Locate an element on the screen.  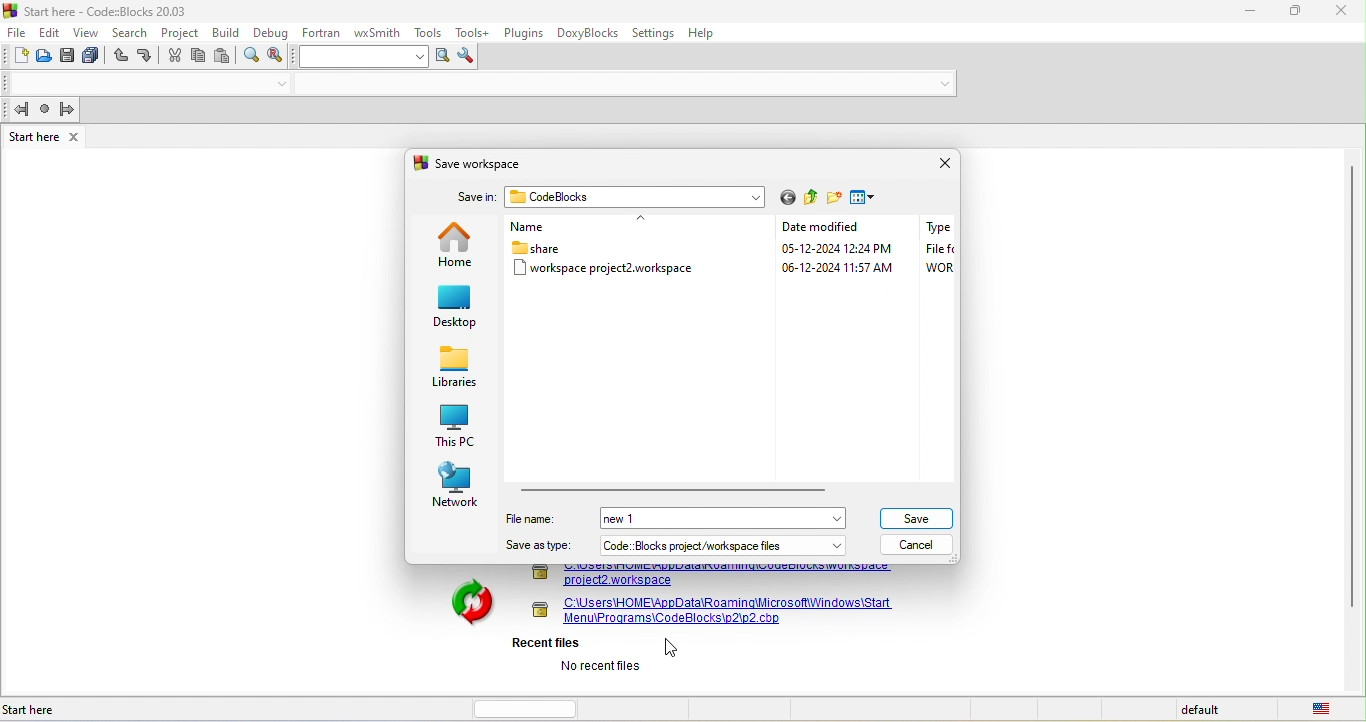
debug is located at coordinates (270, 31).